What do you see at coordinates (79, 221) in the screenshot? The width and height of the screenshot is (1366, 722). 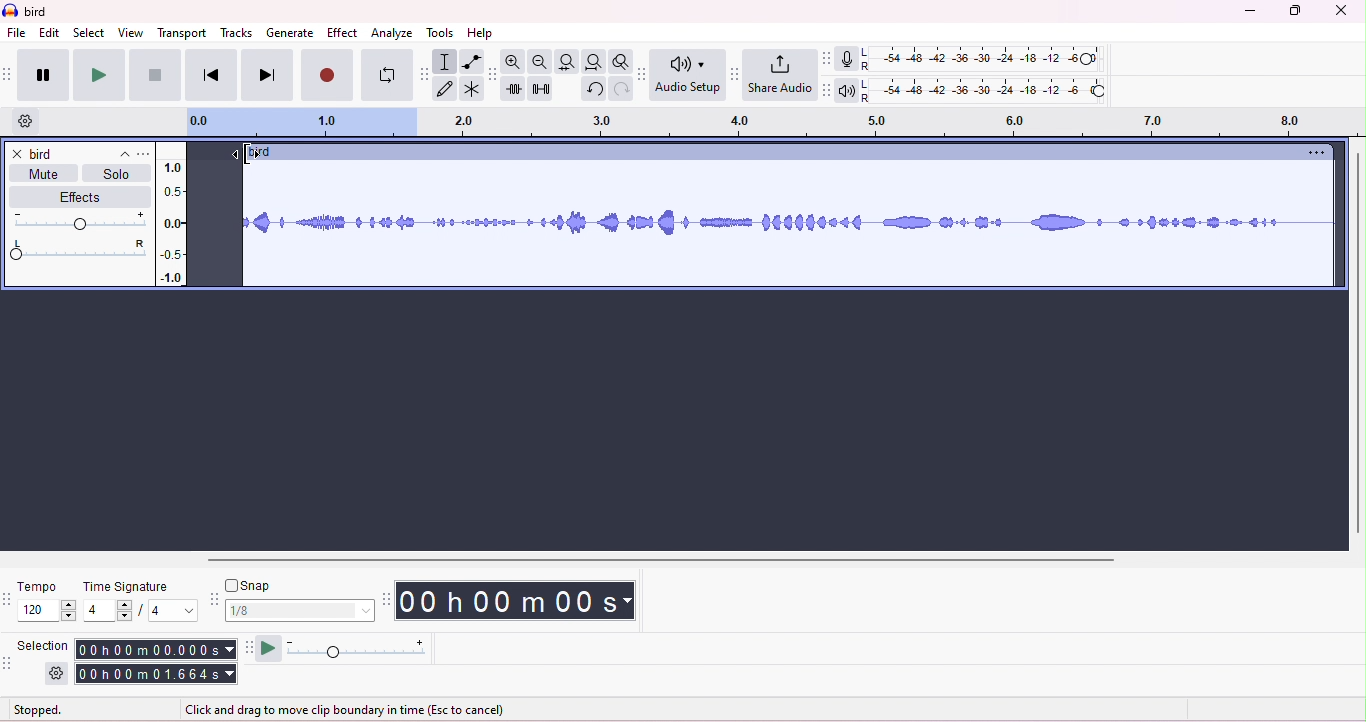 I see `volume` at bounding box center [79, 221].